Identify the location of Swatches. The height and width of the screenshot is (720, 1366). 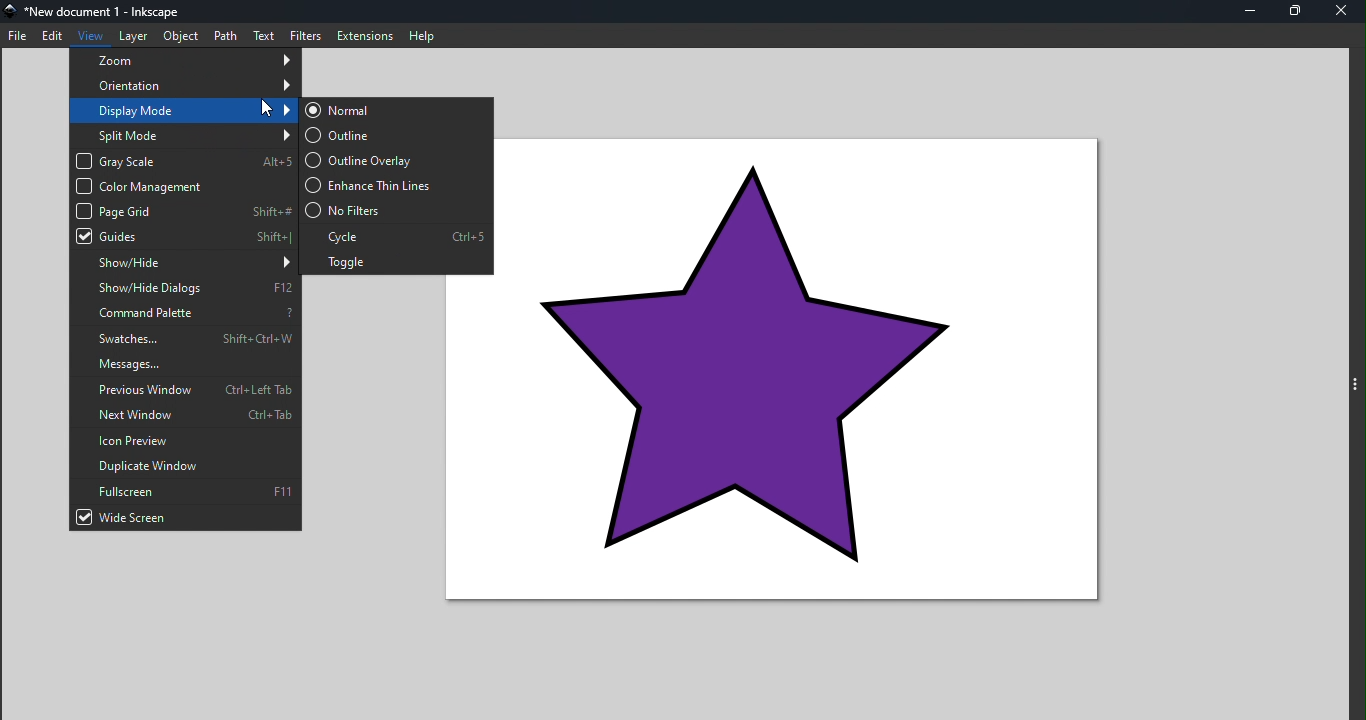
(184, 340).